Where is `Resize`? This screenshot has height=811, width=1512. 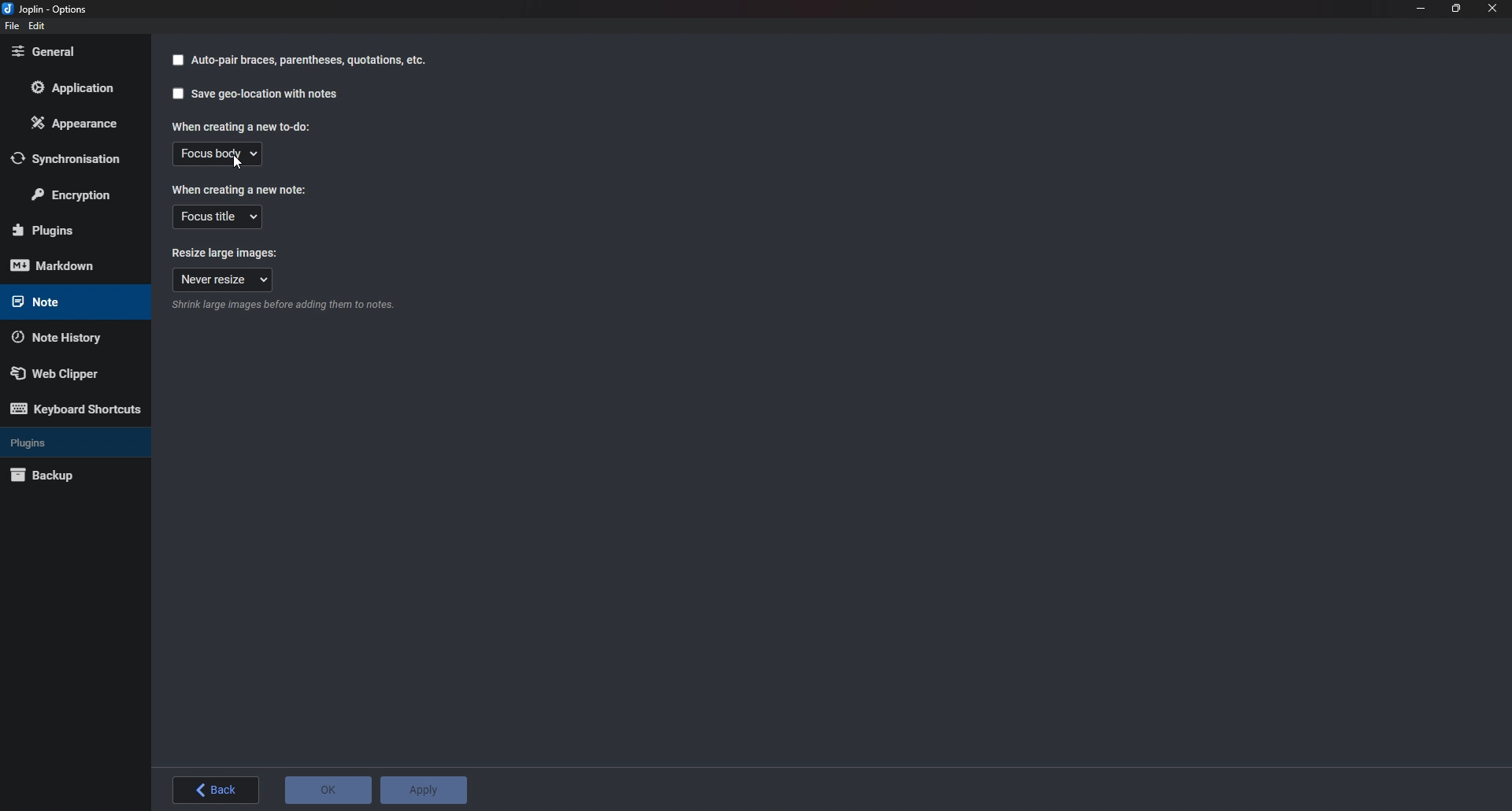 Resize is located at coordinates (1456, 9).